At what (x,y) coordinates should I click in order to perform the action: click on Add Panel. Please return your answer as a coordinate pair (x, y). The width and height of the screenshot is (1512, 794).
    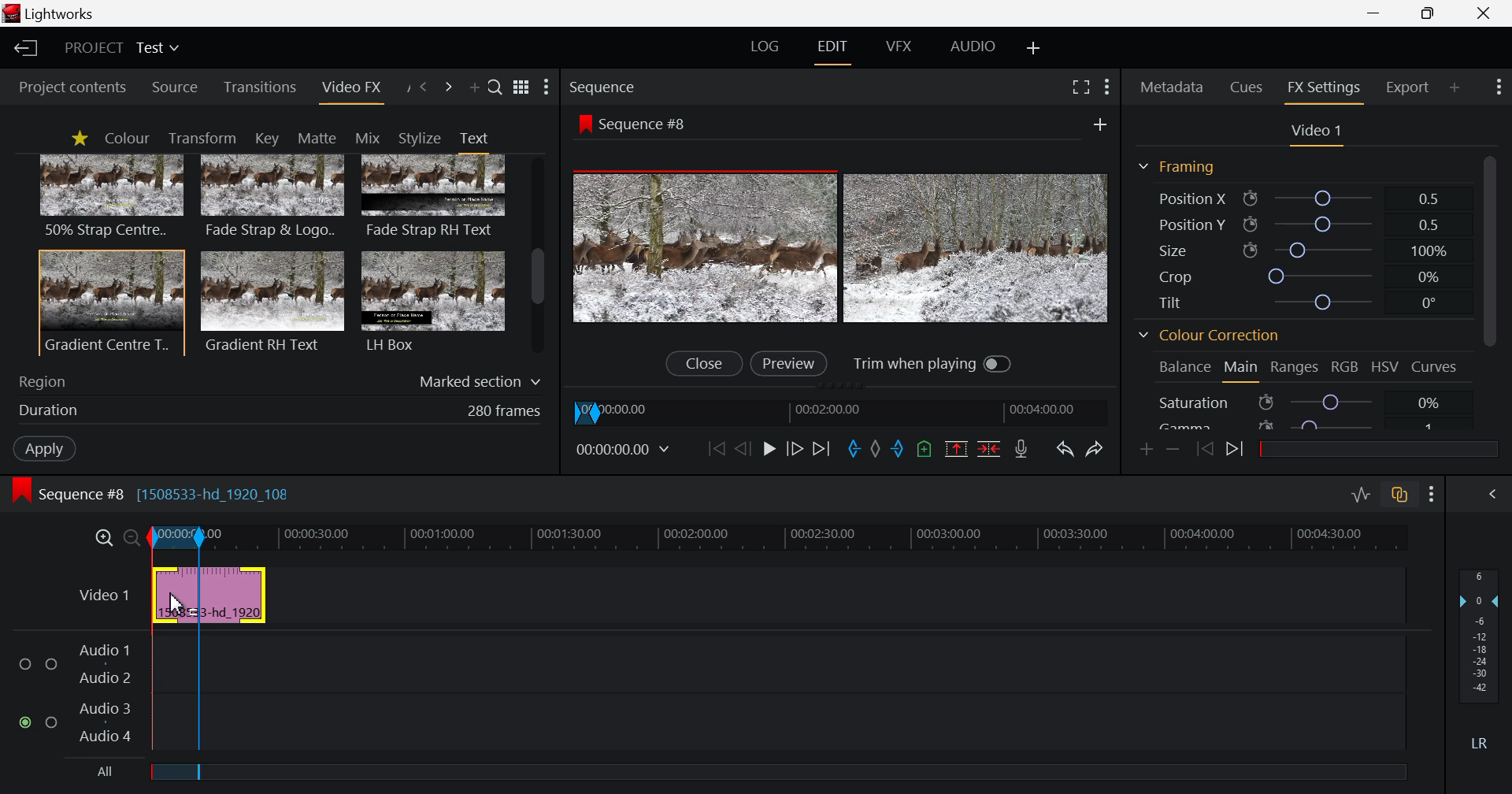
    Looking at the image, I should click on (1455, 85).